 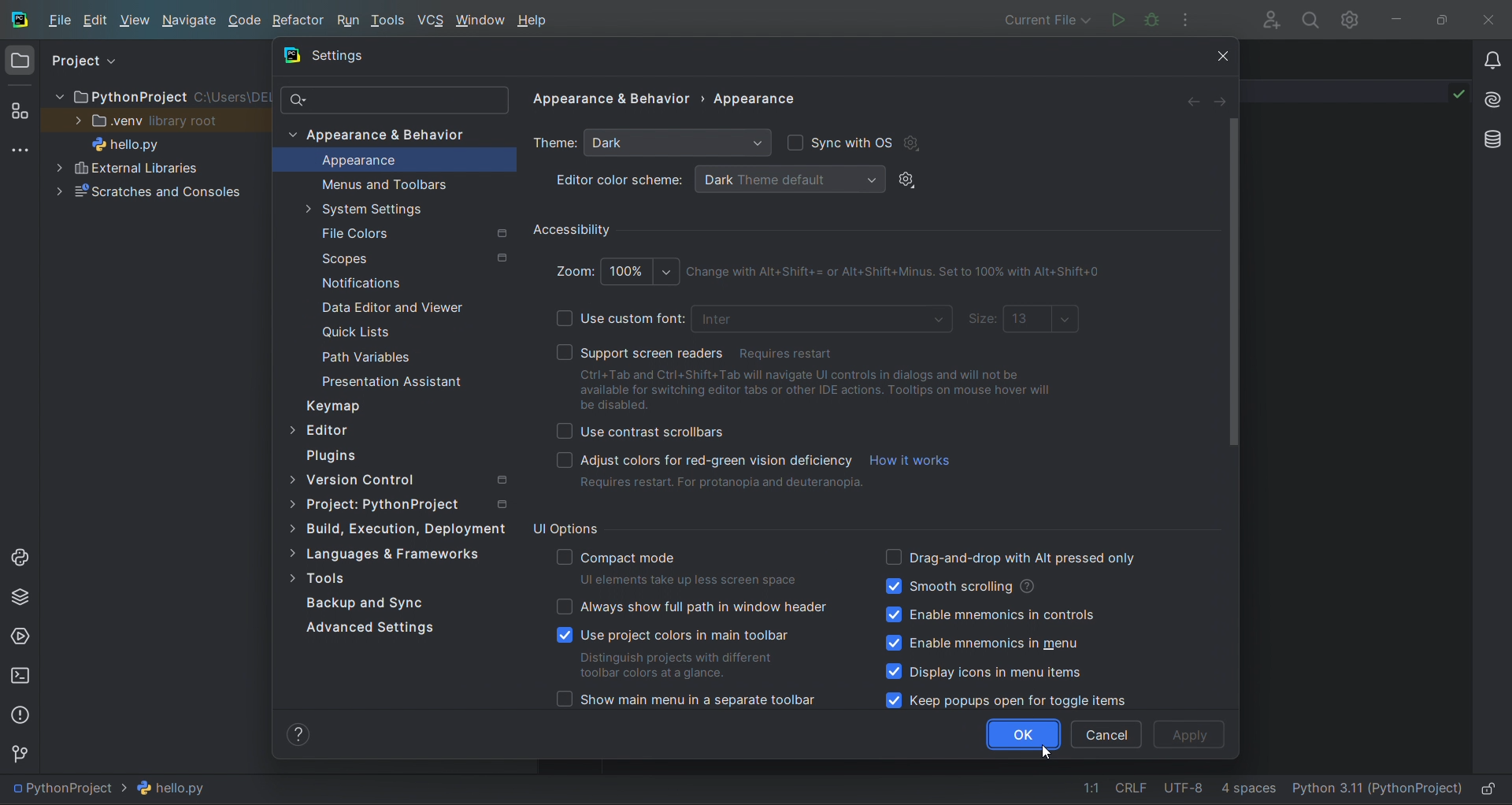 What do you see at coordinates (138, 167) in the screenshot?
I see `External Libaries` at bounding box center [138, 167].